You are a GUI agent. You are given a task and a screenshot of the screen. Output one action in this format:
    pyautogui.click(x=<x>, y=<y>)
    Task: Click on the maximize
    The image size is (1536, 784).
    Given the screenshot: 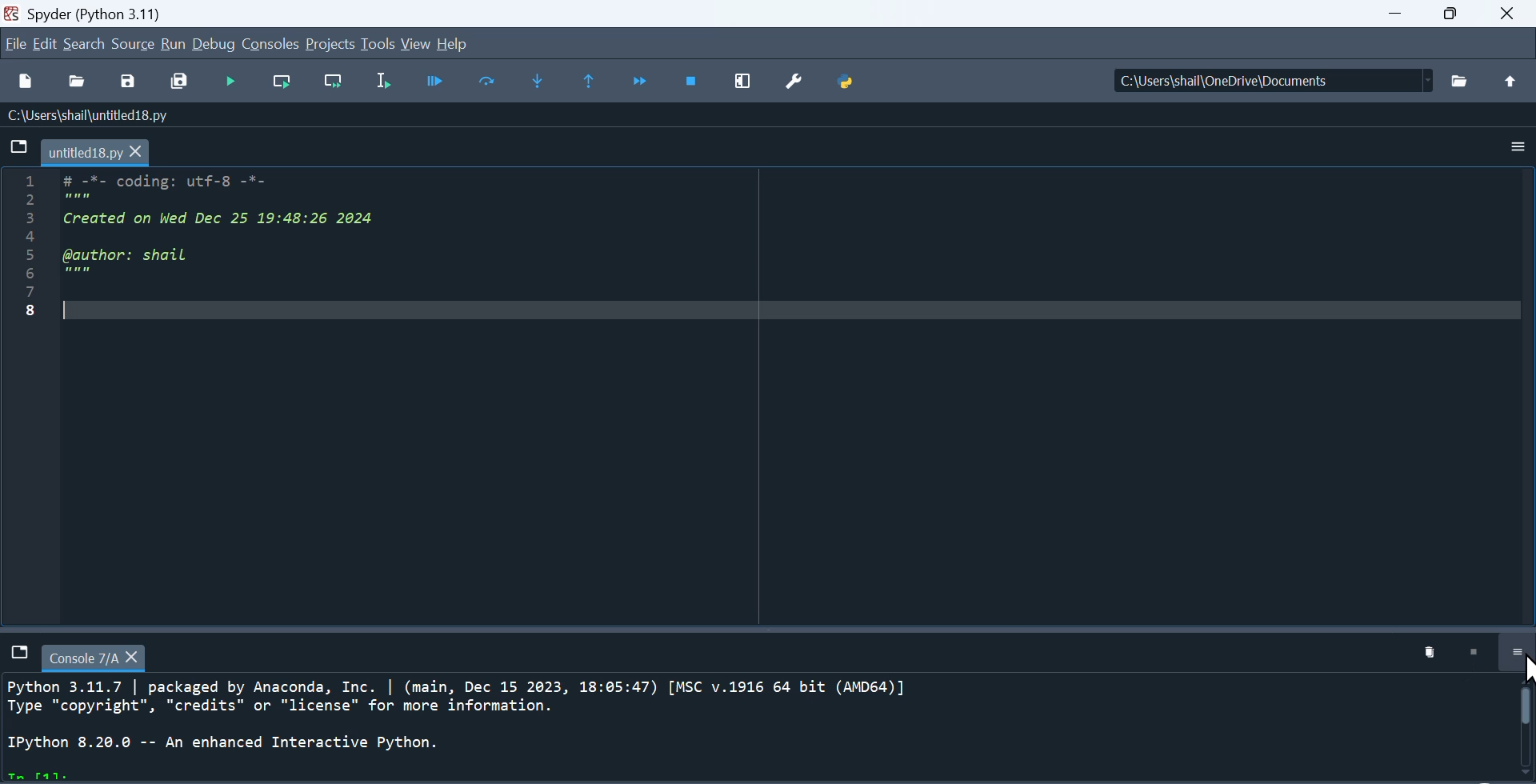 What is the action you would take?
    pyautogui.click(x=1450, y=14)
    